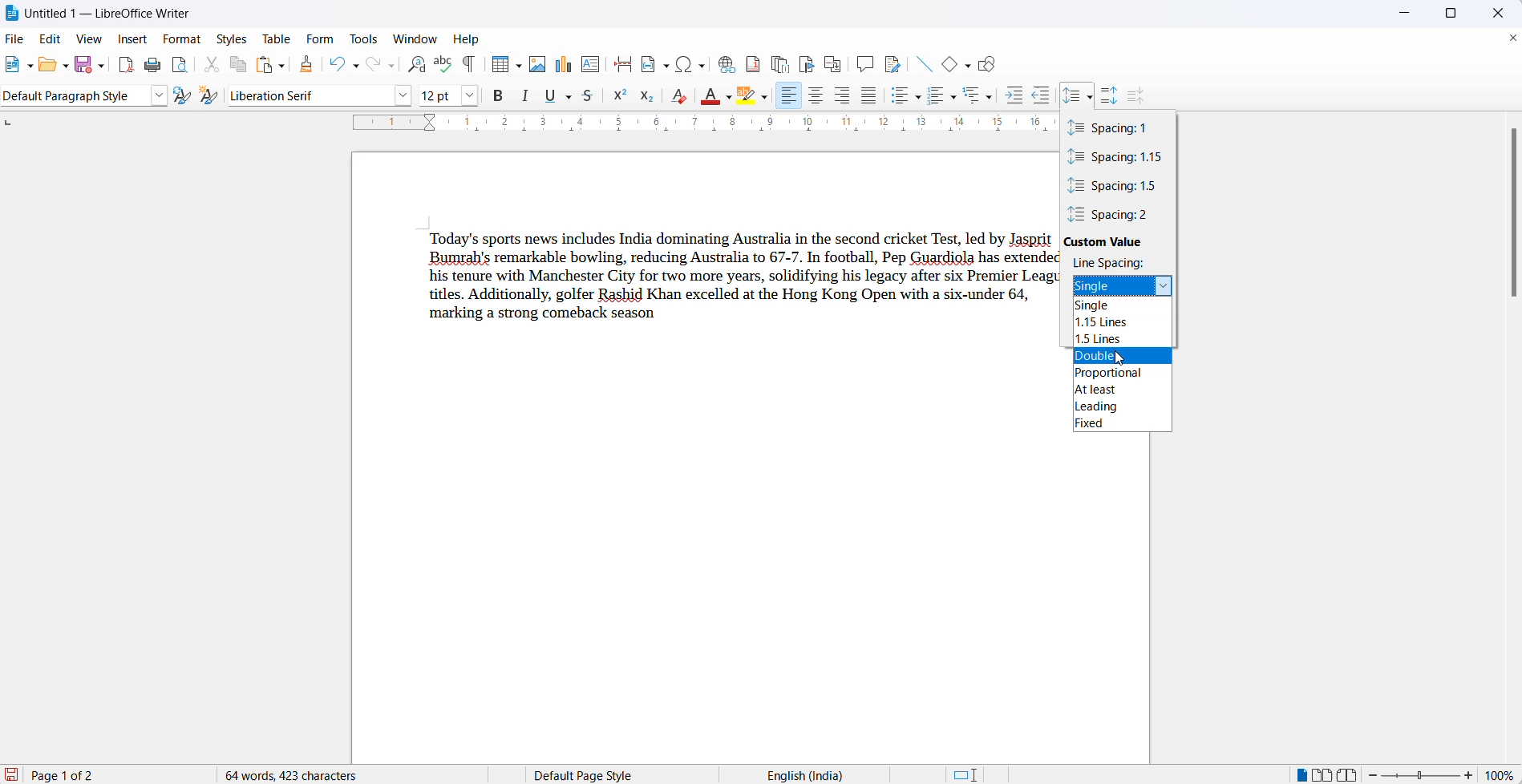 The height and width of the screenshot is (784, 1522). I want to click on proportional, so click(1120, 374).